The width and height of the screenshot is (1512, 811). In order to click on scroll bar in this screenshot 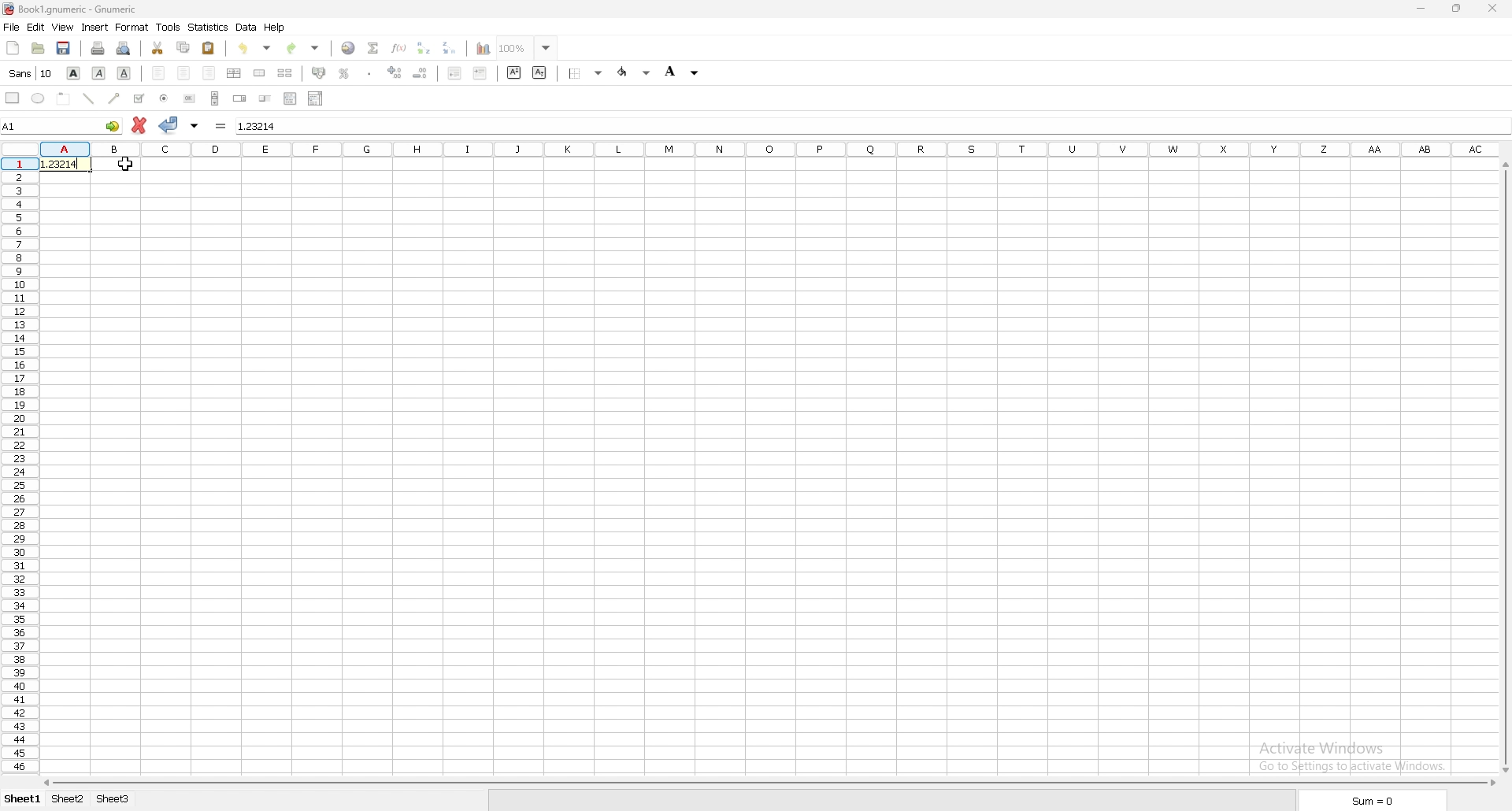, I will do `click(1503, 466)`.